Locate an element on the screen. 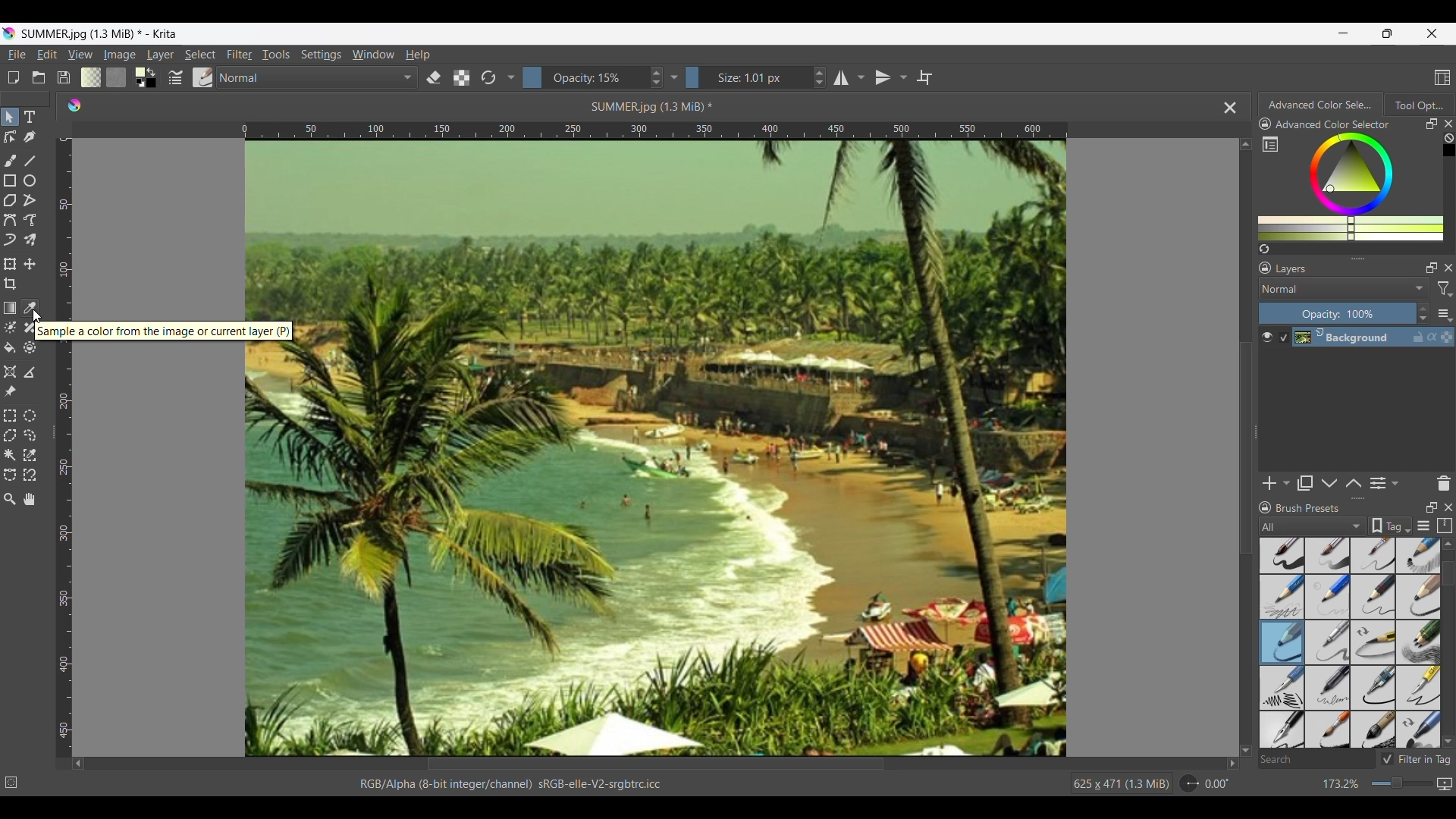 This screenshot has height=819, width=1456. Reload original preset is located at coordinates (488, 77).